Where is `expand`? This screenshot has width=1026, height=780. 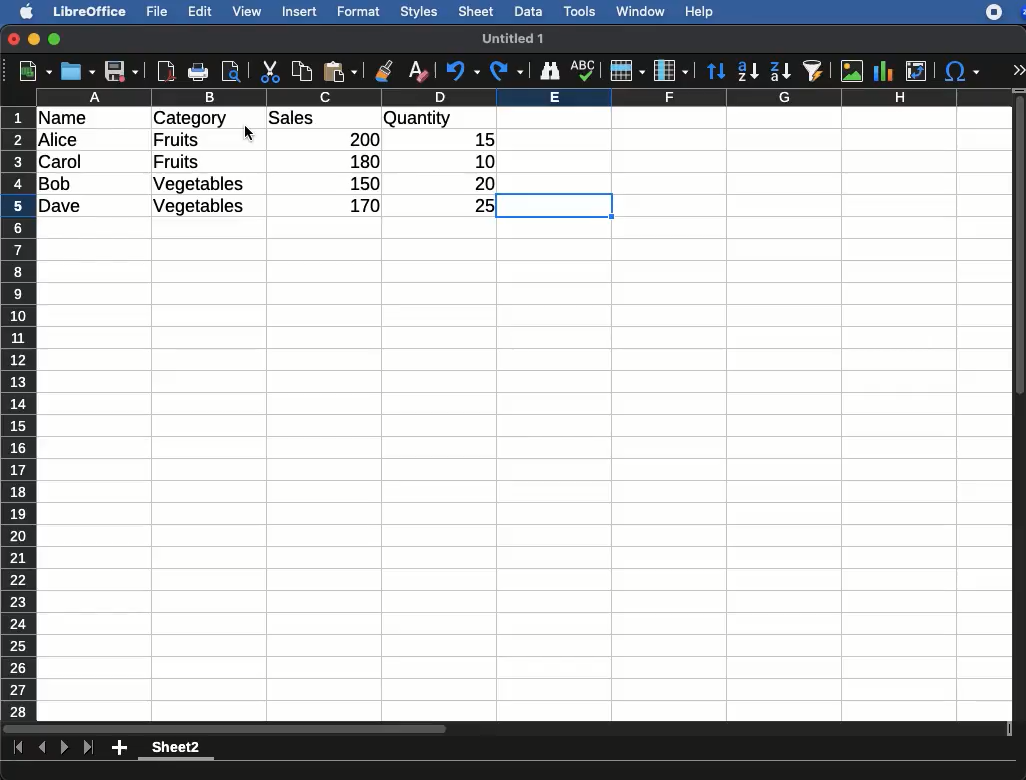
expand is located at coordinates (1018, 70).